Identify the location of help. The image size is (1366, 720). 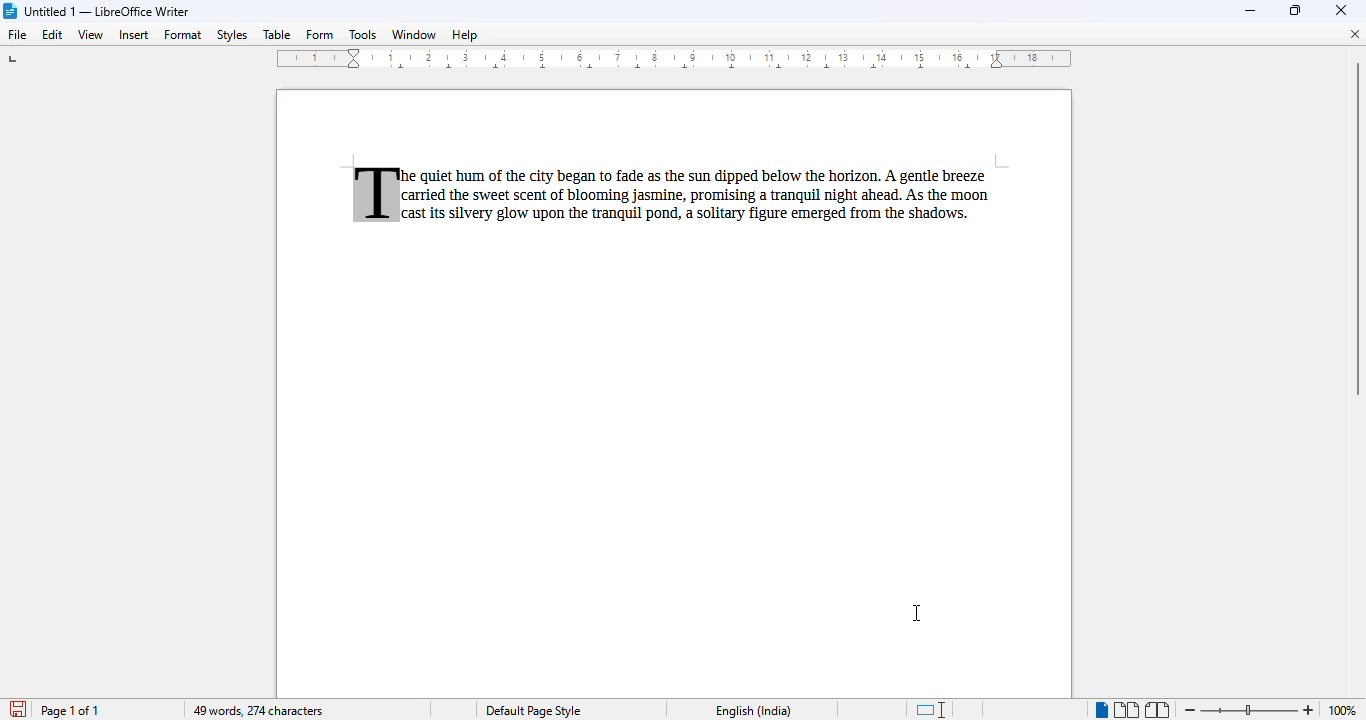
(467, 34).